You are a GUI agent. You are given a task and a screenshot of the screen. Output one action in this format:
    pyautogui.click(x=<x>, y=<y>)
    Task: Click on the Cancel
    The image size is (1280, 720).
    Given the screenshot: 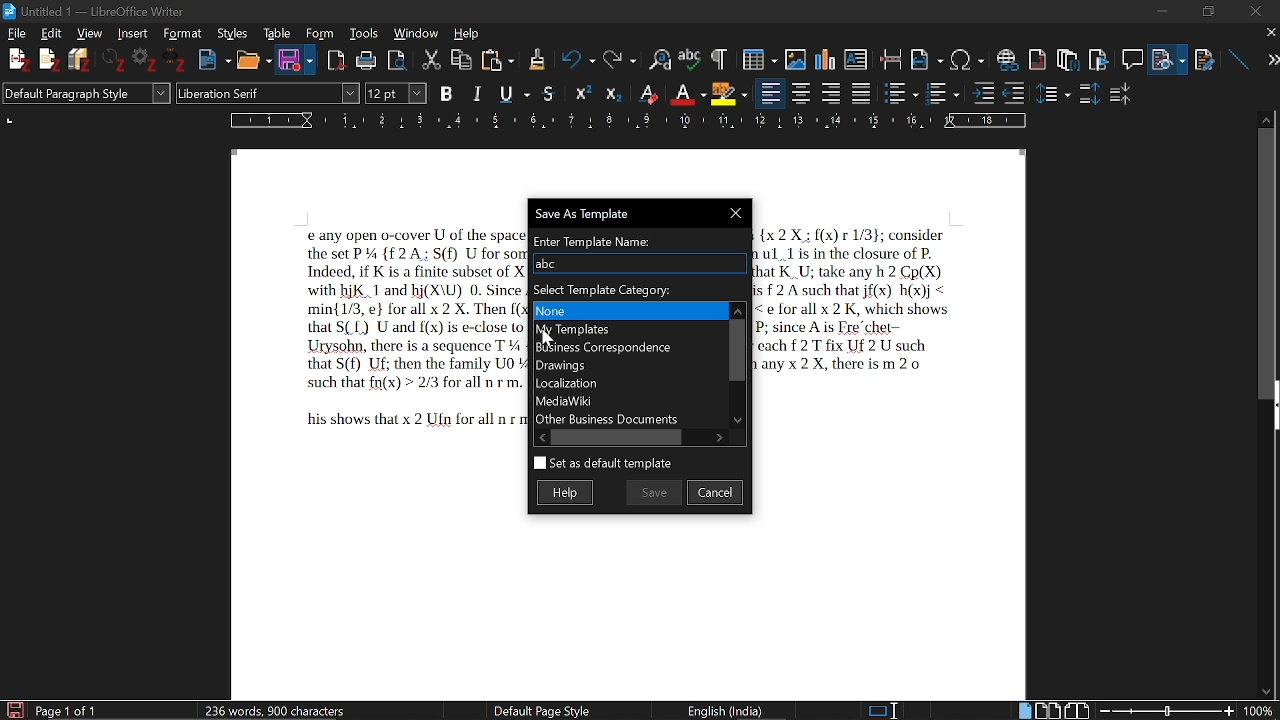 What is the action you would take?
    pyautogui.click(x=716, y=491)
    